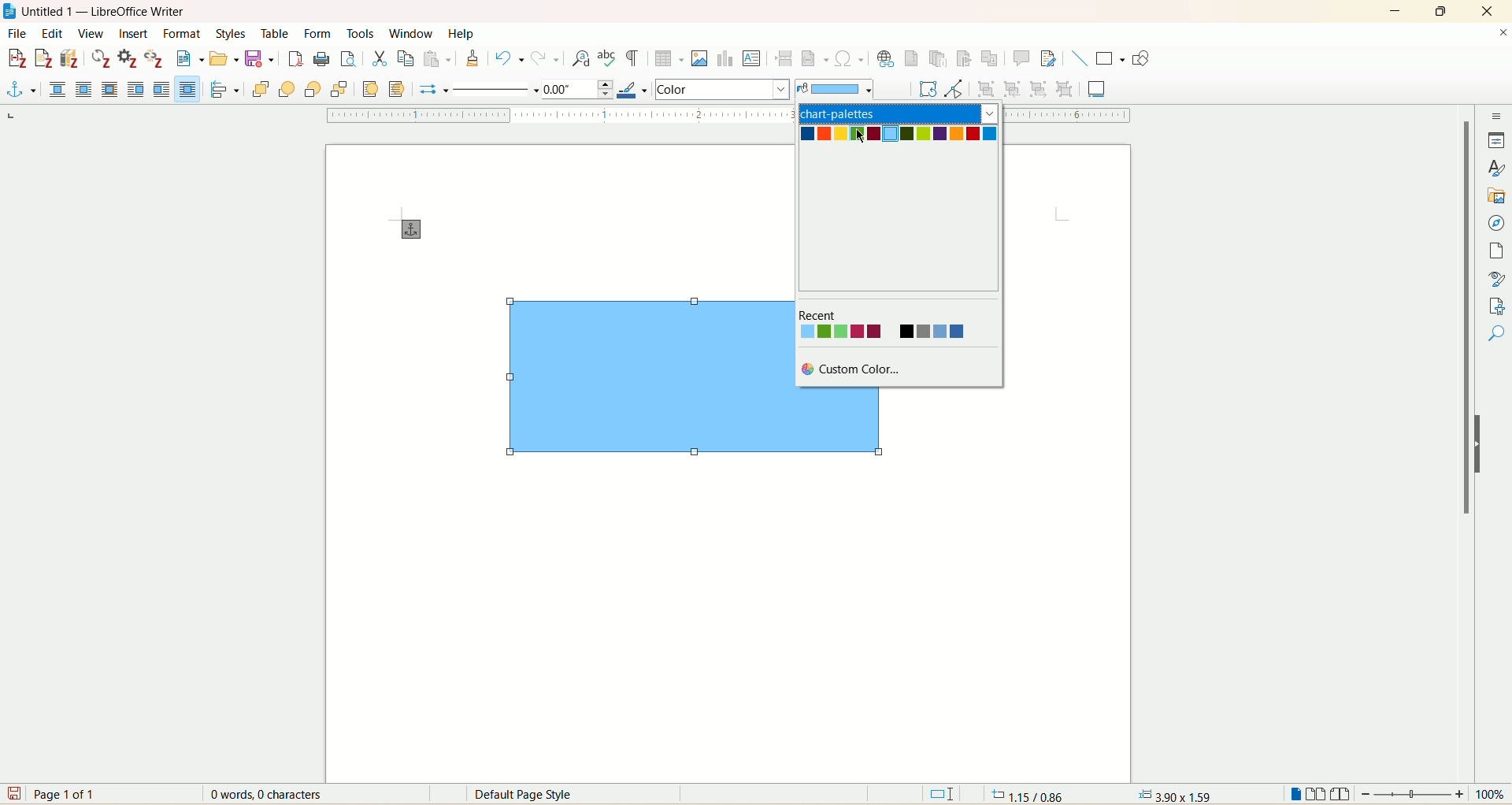 This screenshot has width=1512, height=805. Describe the element at coordinates (1013, 88) in the screenshot. I see `enter group` at that location.